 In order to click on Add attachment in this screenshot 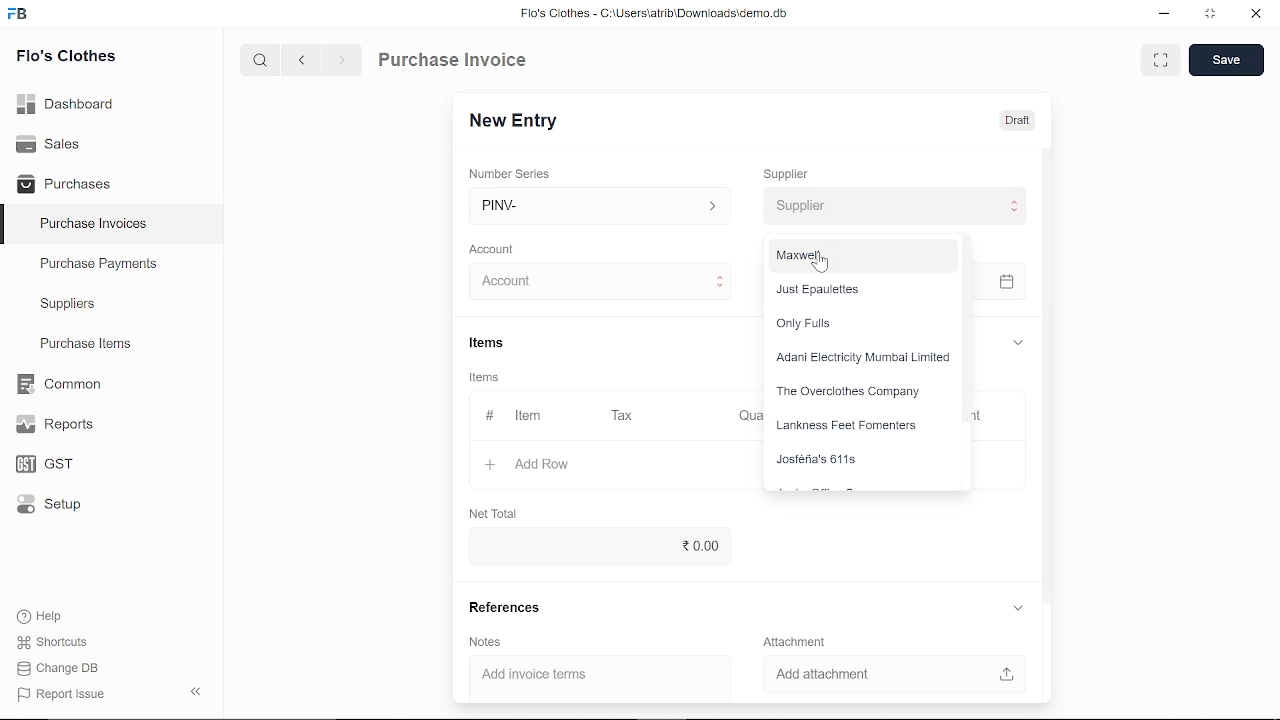, I will do `click(887, 672)`.